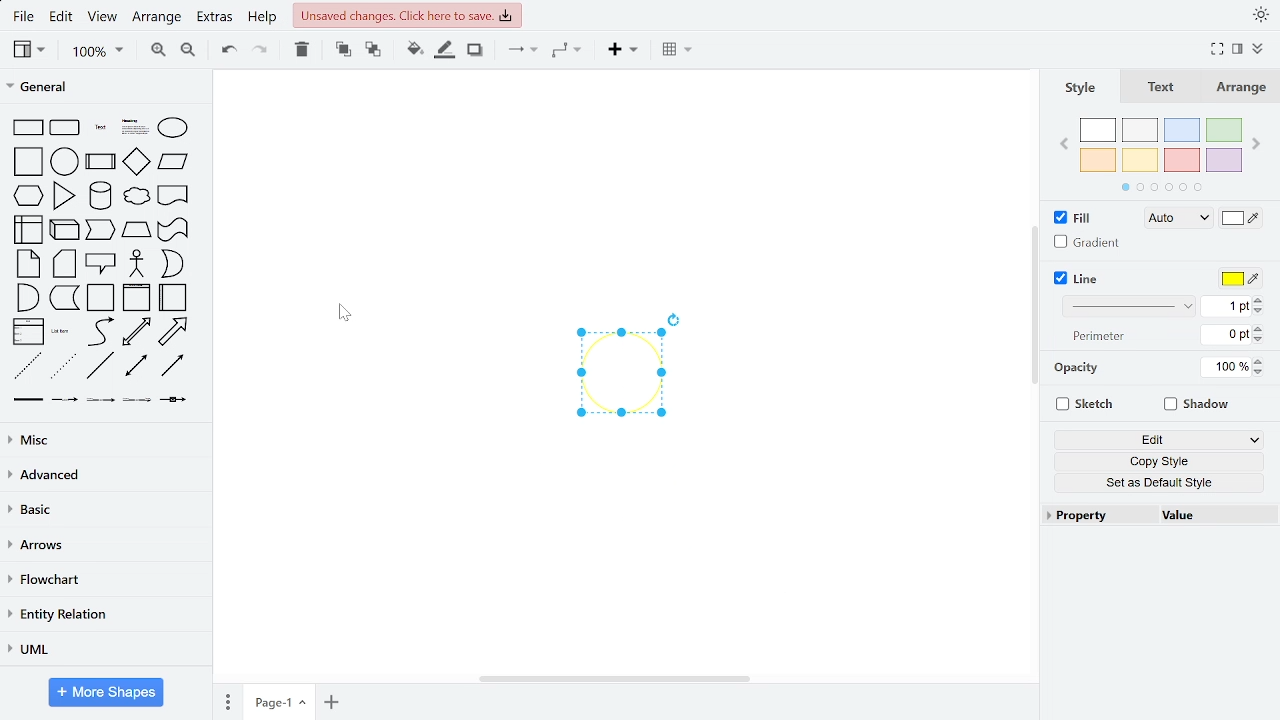 The height and width of the screenshot is (720, 1280). What do you see at coordinates (1223, 160) in the screenshot?
I see `violet` at bounding box center [1223, 160].